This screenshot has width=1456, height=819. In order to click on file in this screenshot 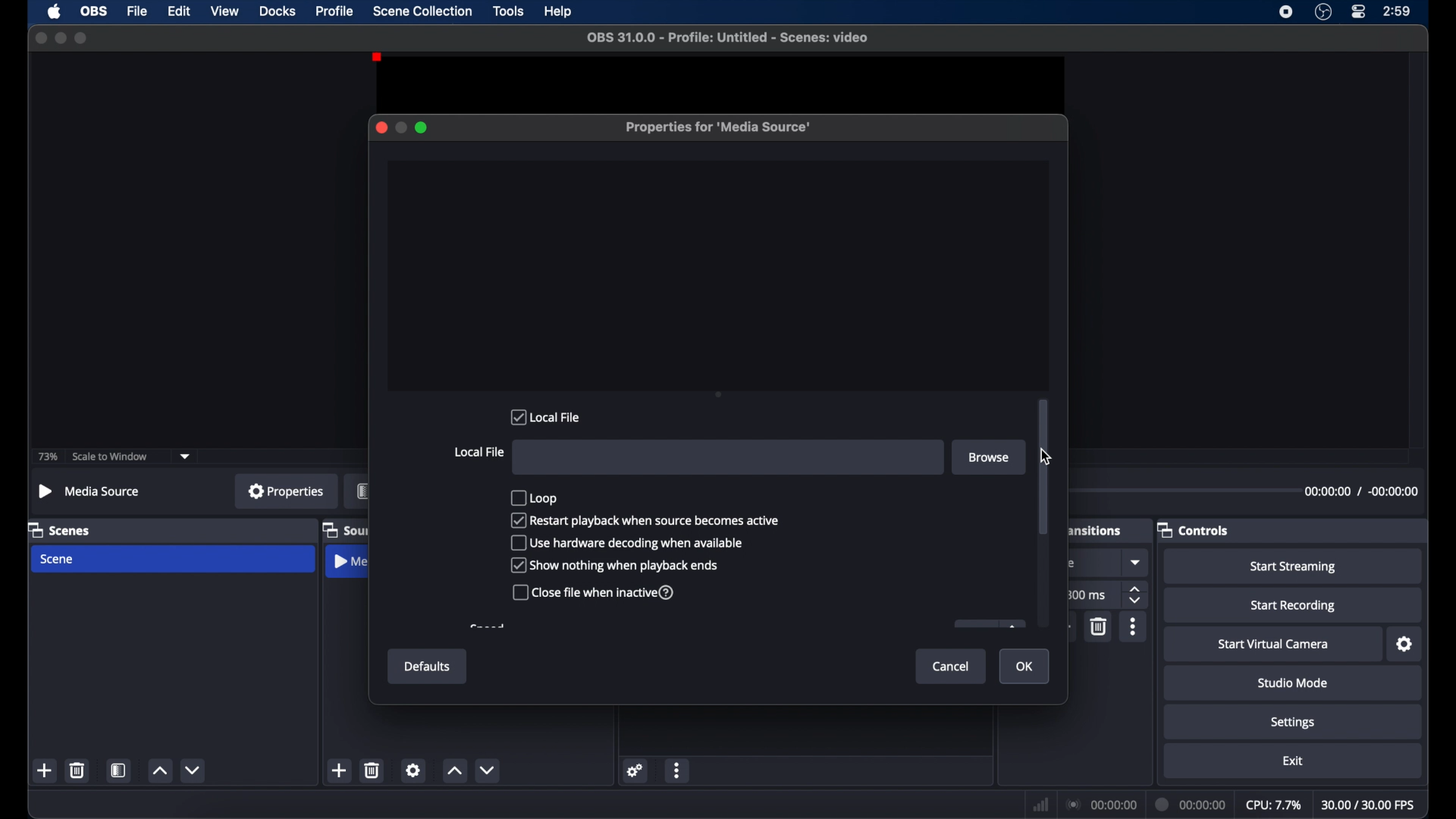, I will do `click(138, 12)`.